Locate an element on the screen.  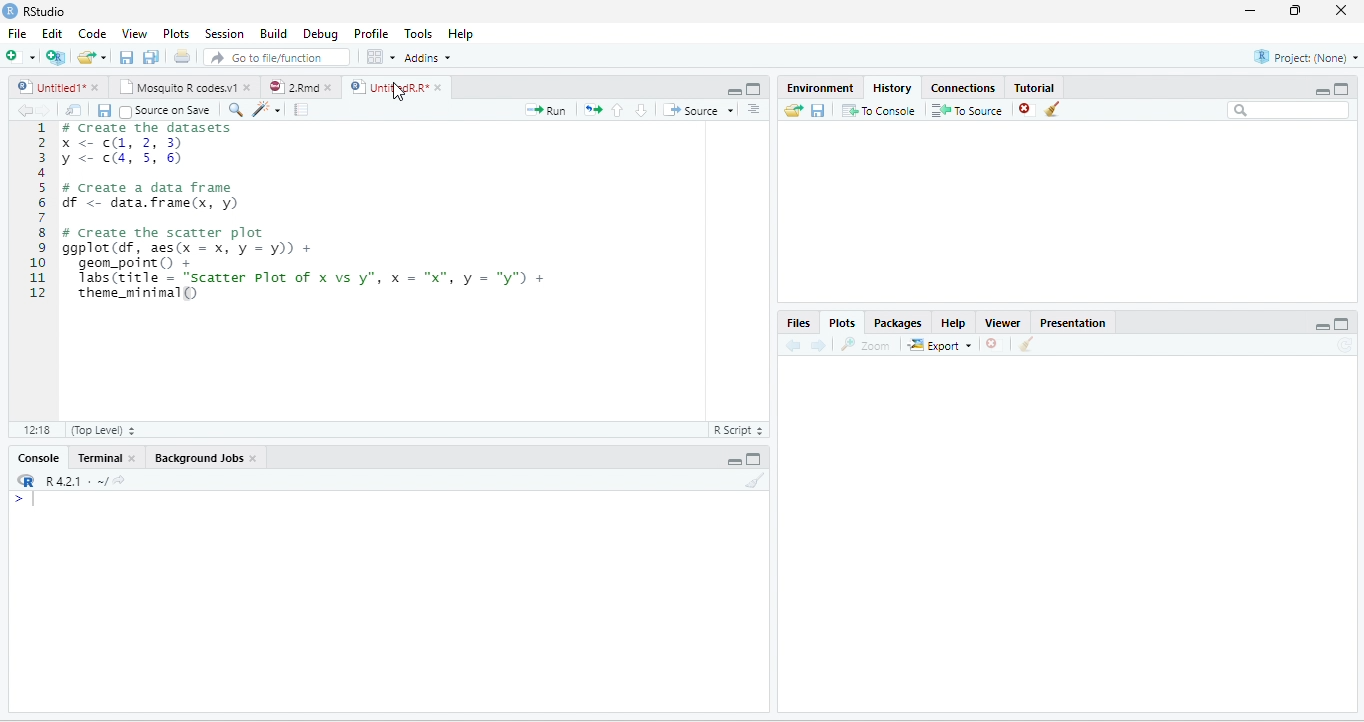
Maximize is located at coordinates (1343, 323).